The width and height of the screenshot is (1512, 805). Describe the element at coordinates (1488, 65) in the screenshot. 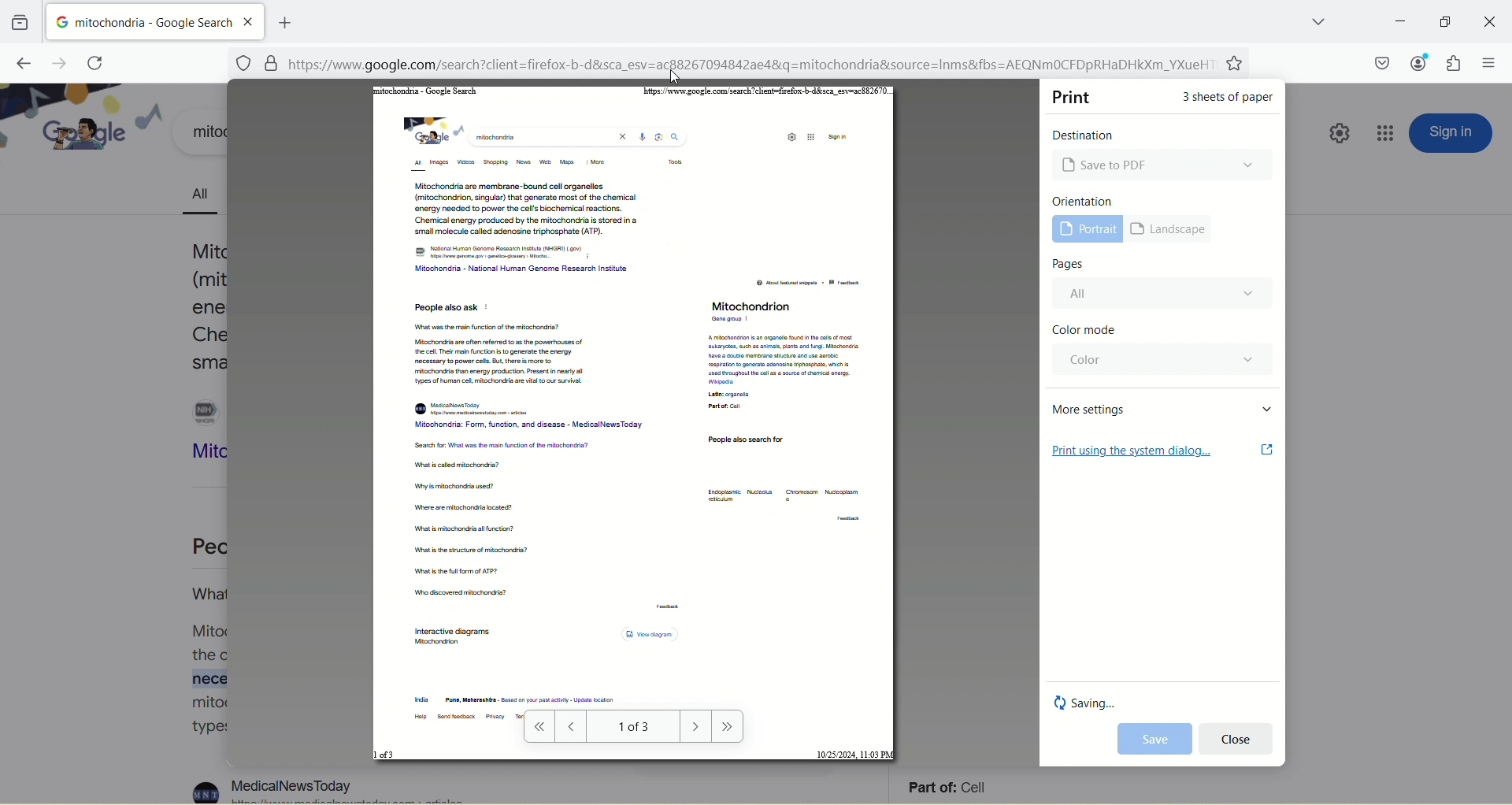

I see `open application menu` at that location.